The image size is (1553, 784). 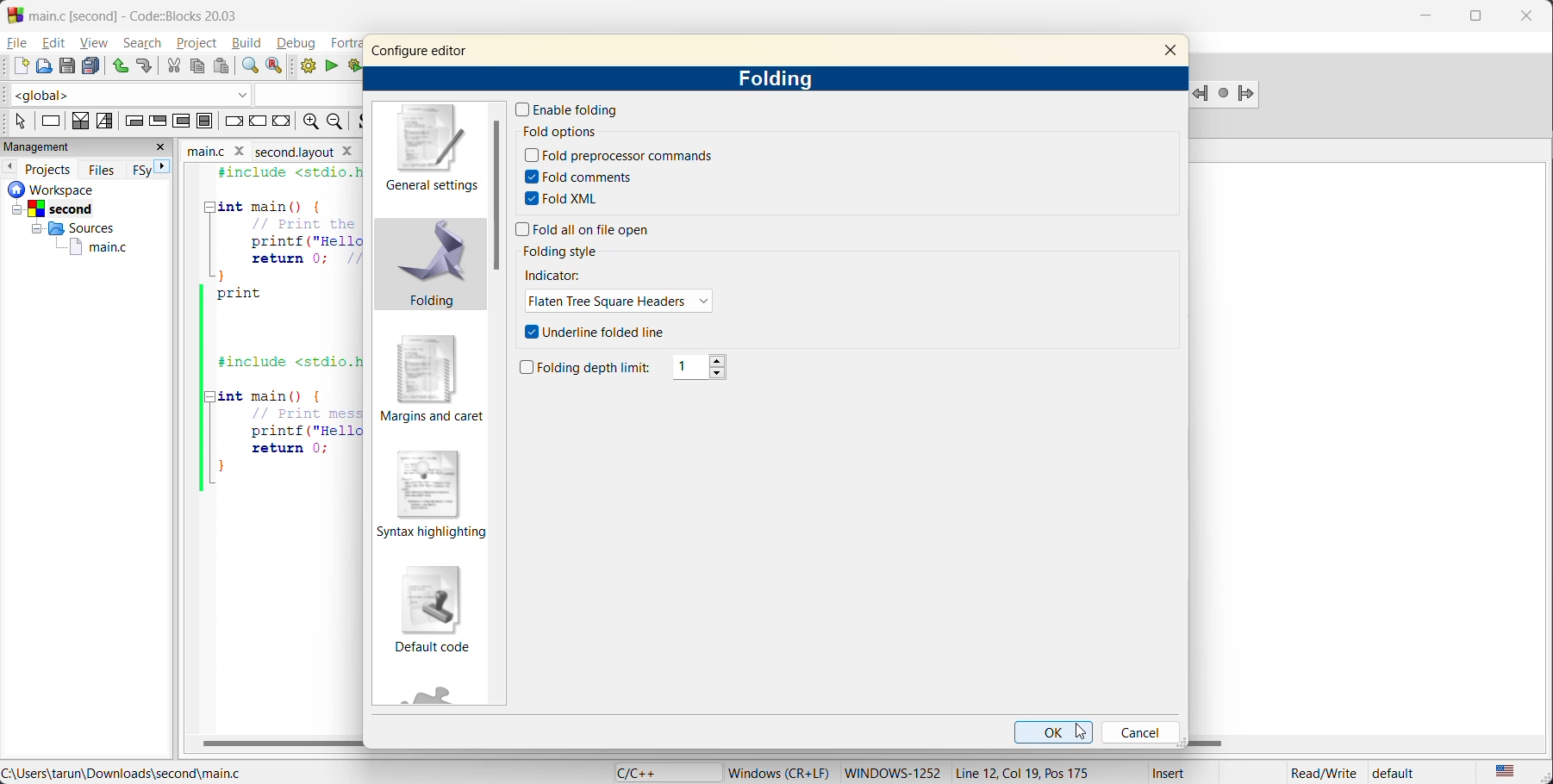 What do you see at coordinates (433, 607) in the screenshot?
I see `default code` at bounding box center [433, 607].